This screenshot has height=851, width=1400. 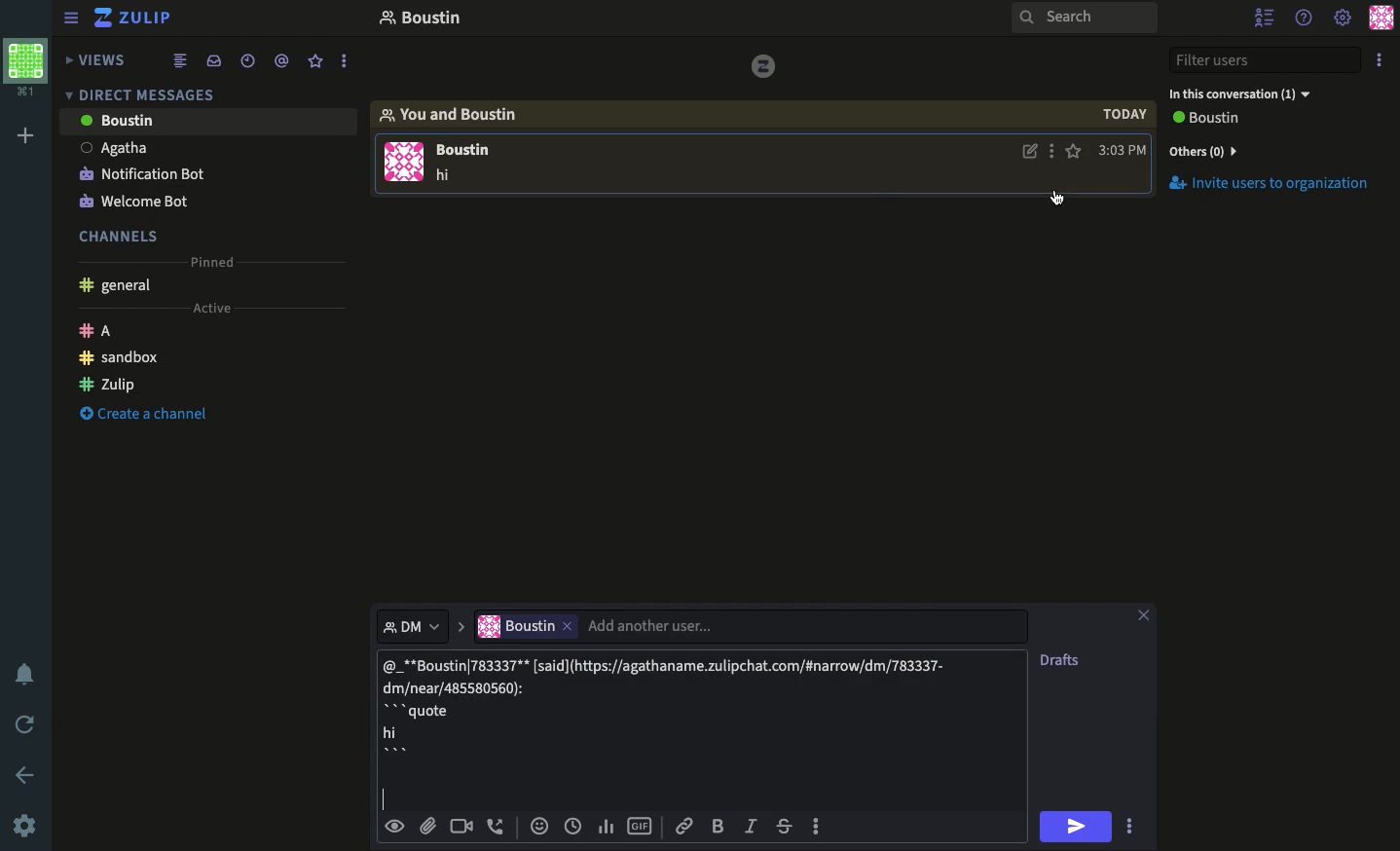 I want to click on Thread name, so click(x=420, y=20).